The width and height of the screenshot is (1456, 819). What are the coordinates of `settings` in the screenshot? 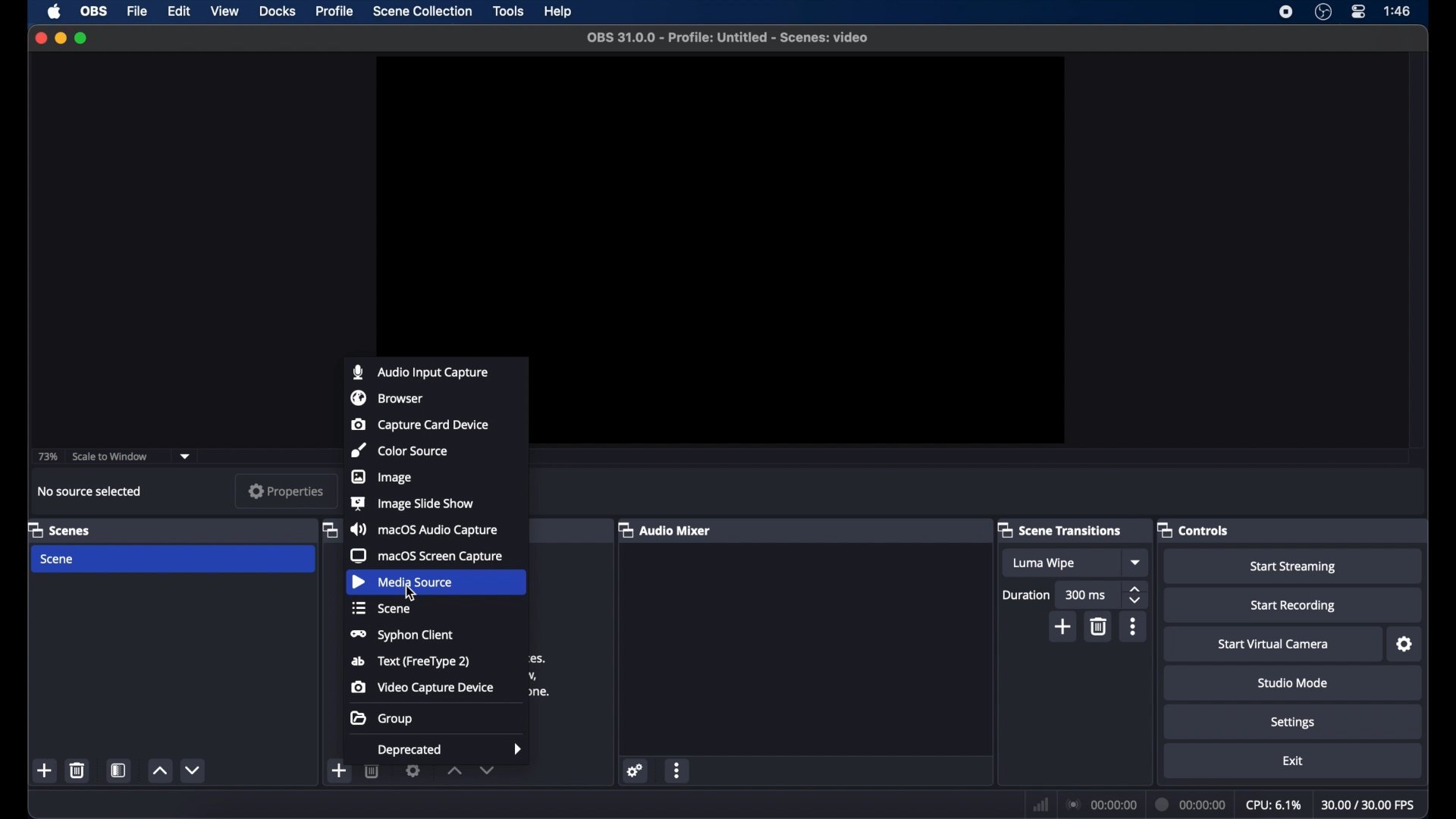 It's located at (1405, 645).